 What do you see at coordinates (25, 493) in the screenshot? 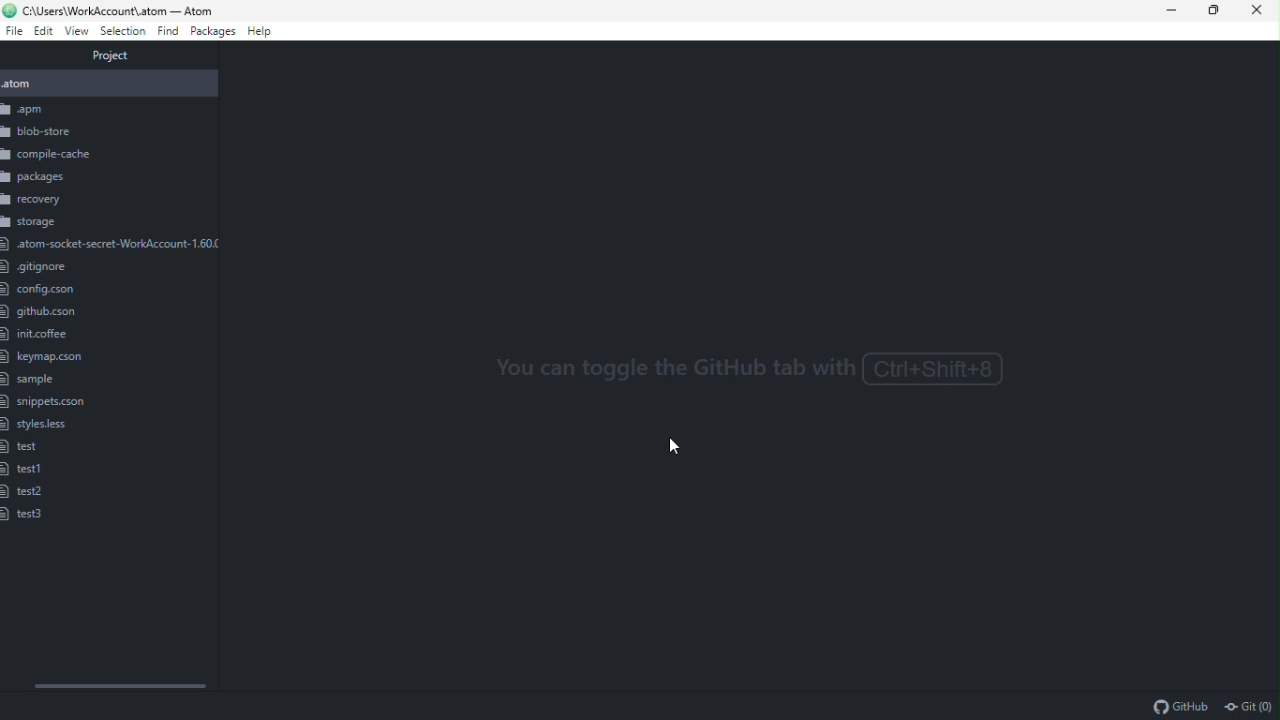
I see `test2` at bounding box center [25, 493].